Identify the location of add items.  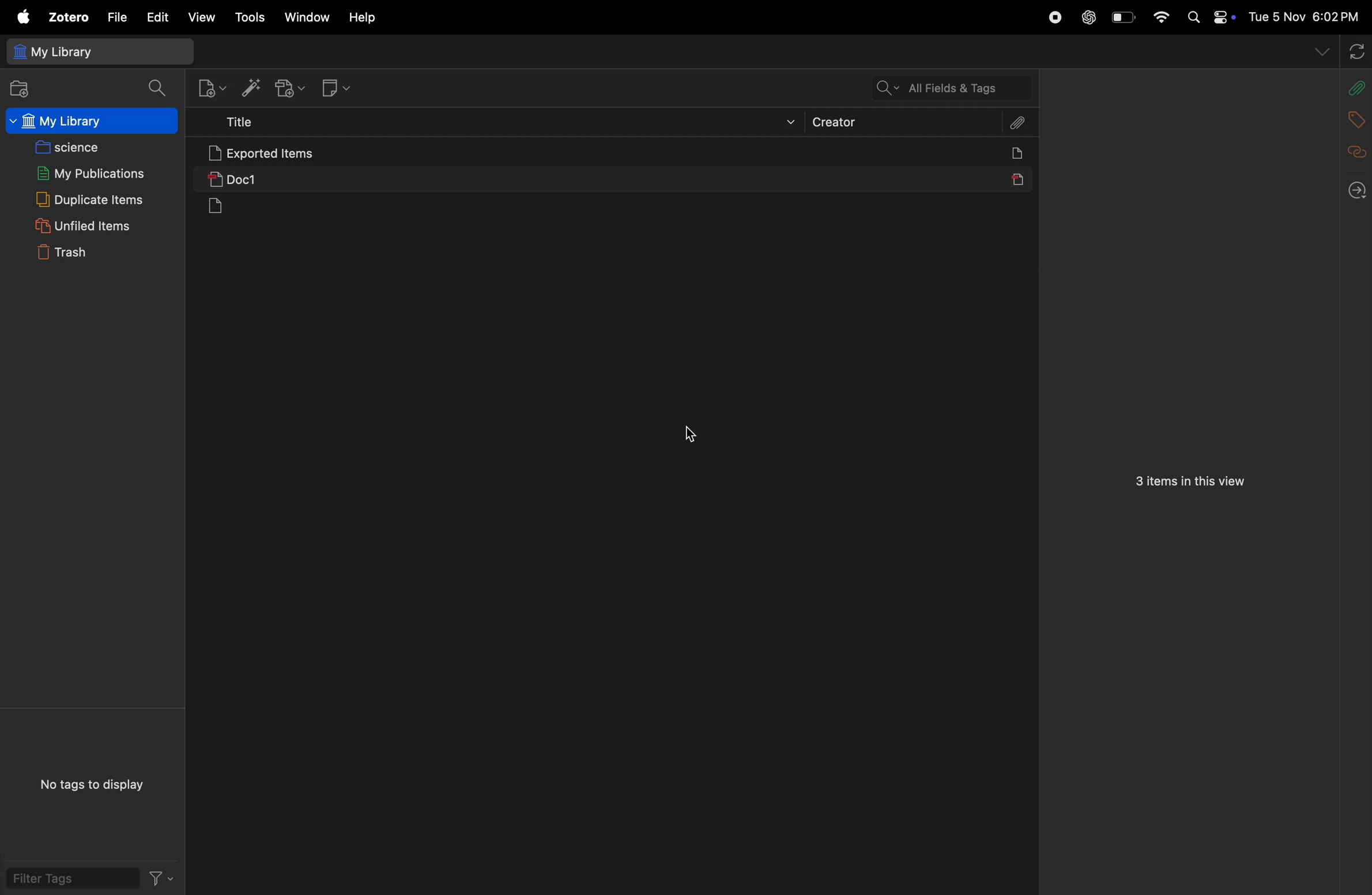
(252, 87).